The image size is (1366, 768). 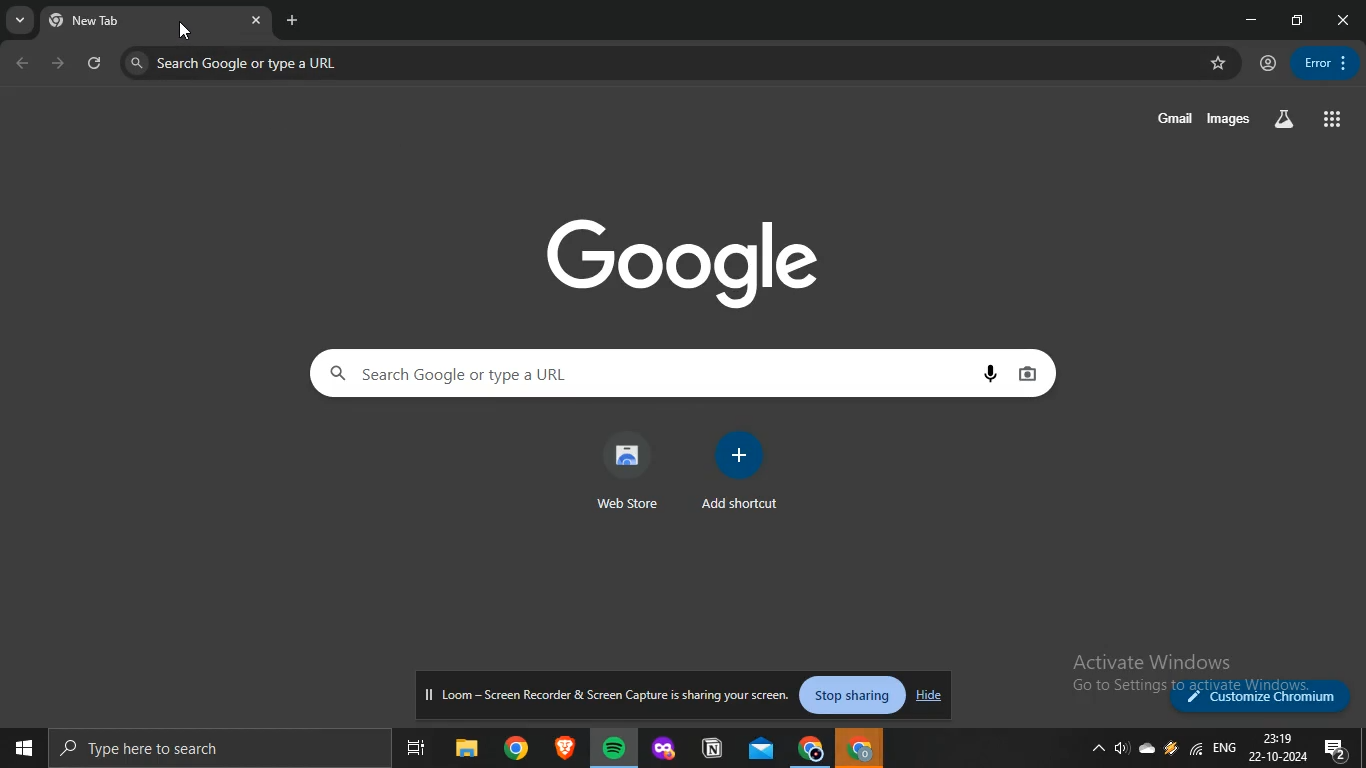 I want to click on minimize, so click(x=1255, y=20).